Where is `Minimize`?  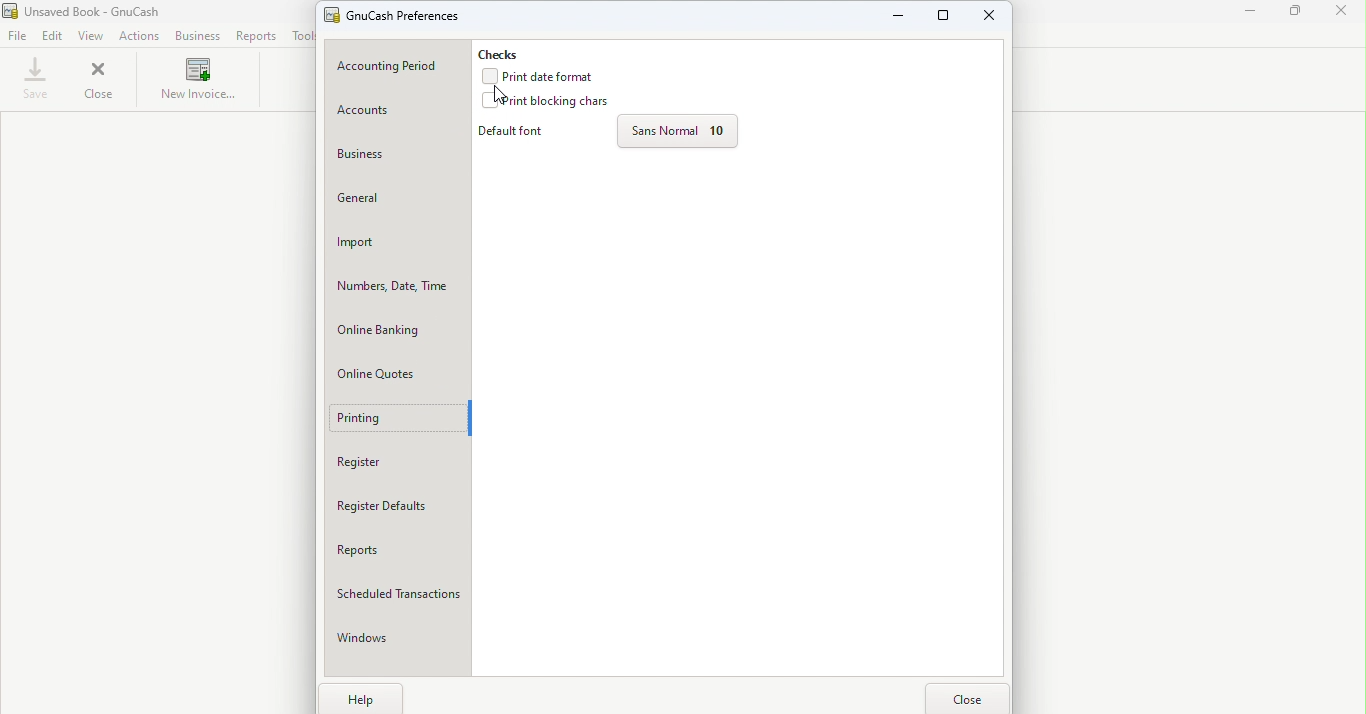 Minimize is located at coordinates (898, 14).